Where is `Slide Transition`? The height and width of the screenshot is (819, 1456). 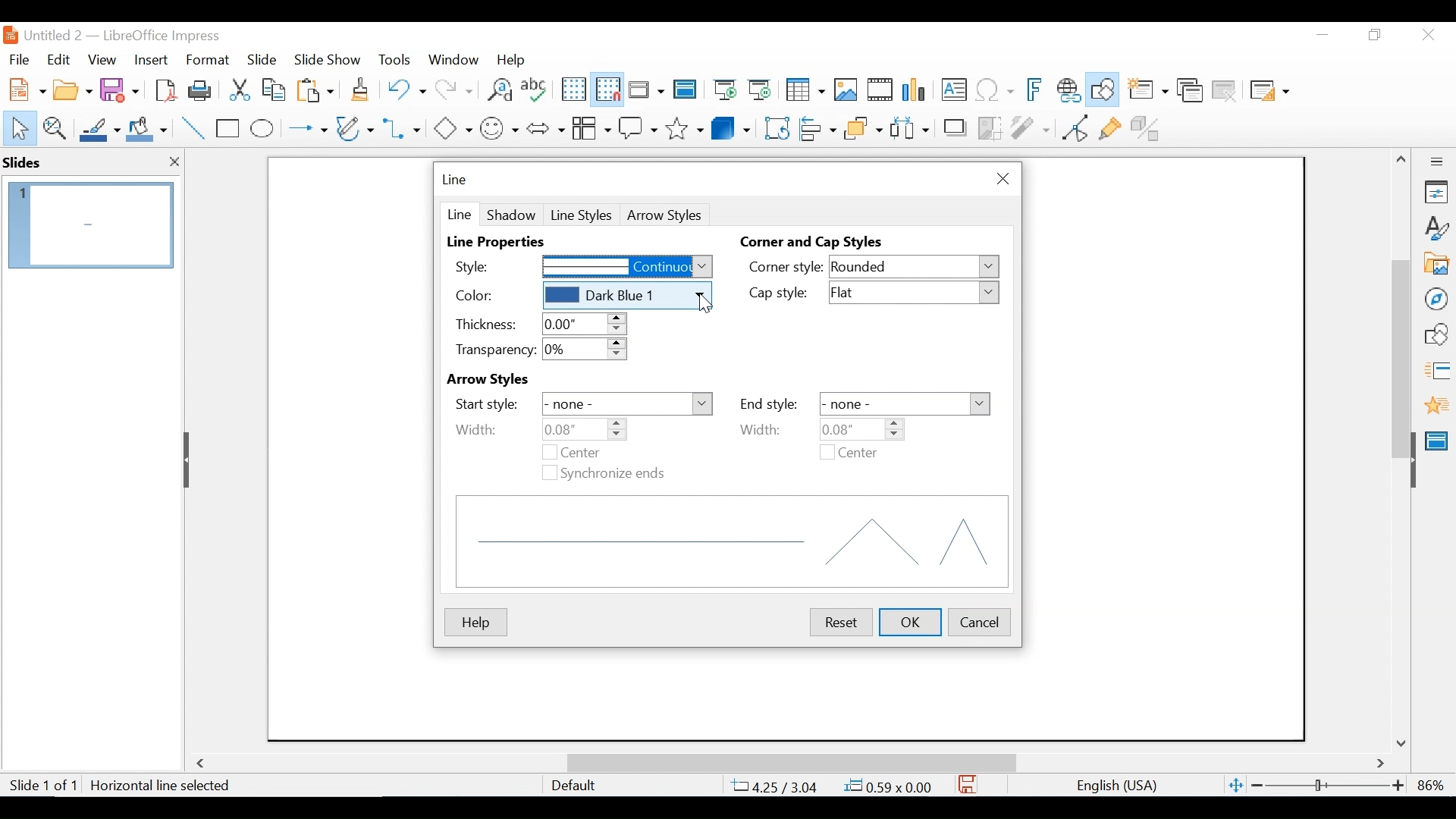
Slide Transition is located at coordinates (1436, 372).